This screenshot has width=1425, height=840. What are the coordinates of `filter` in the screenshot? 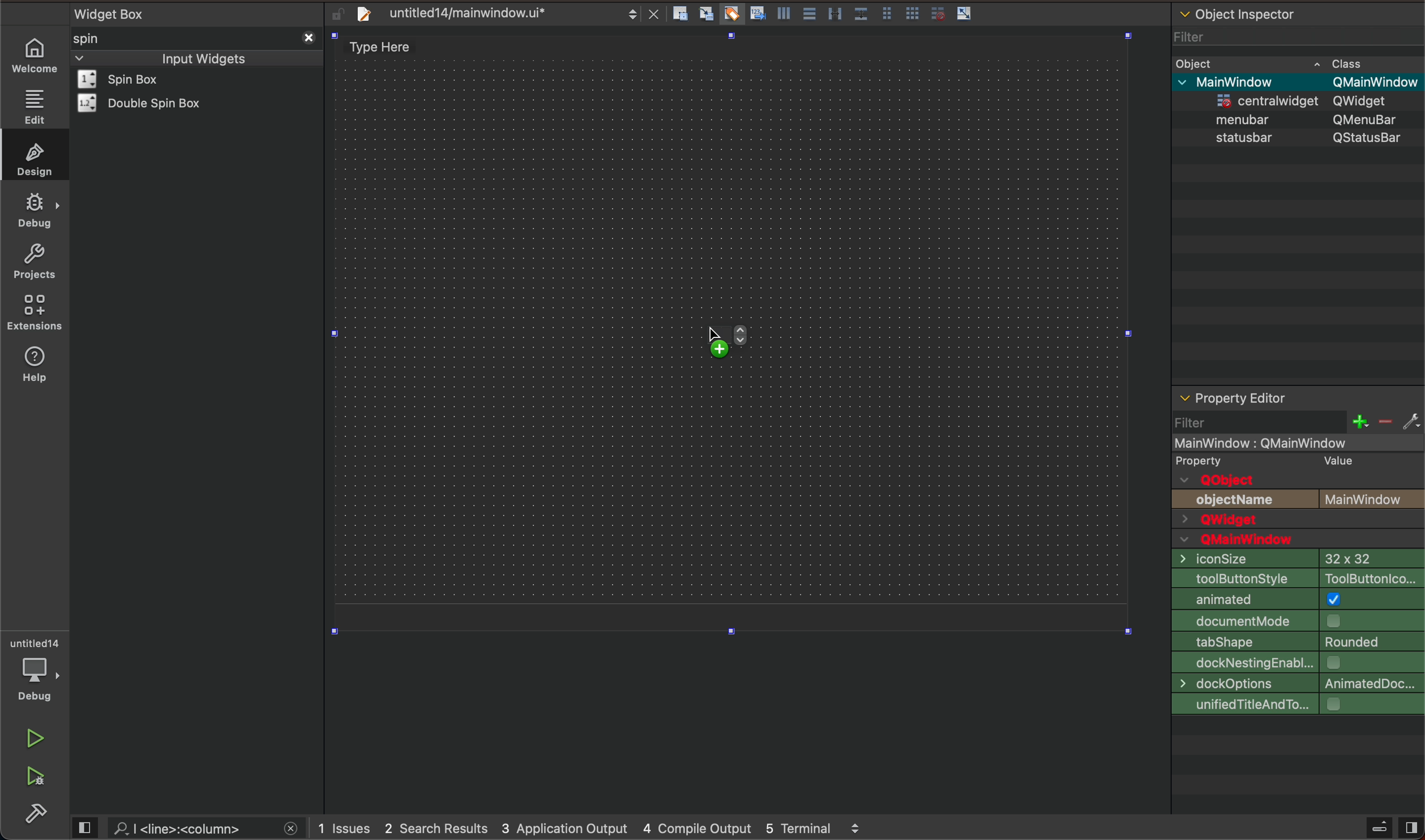 It's located at (1299, 422).